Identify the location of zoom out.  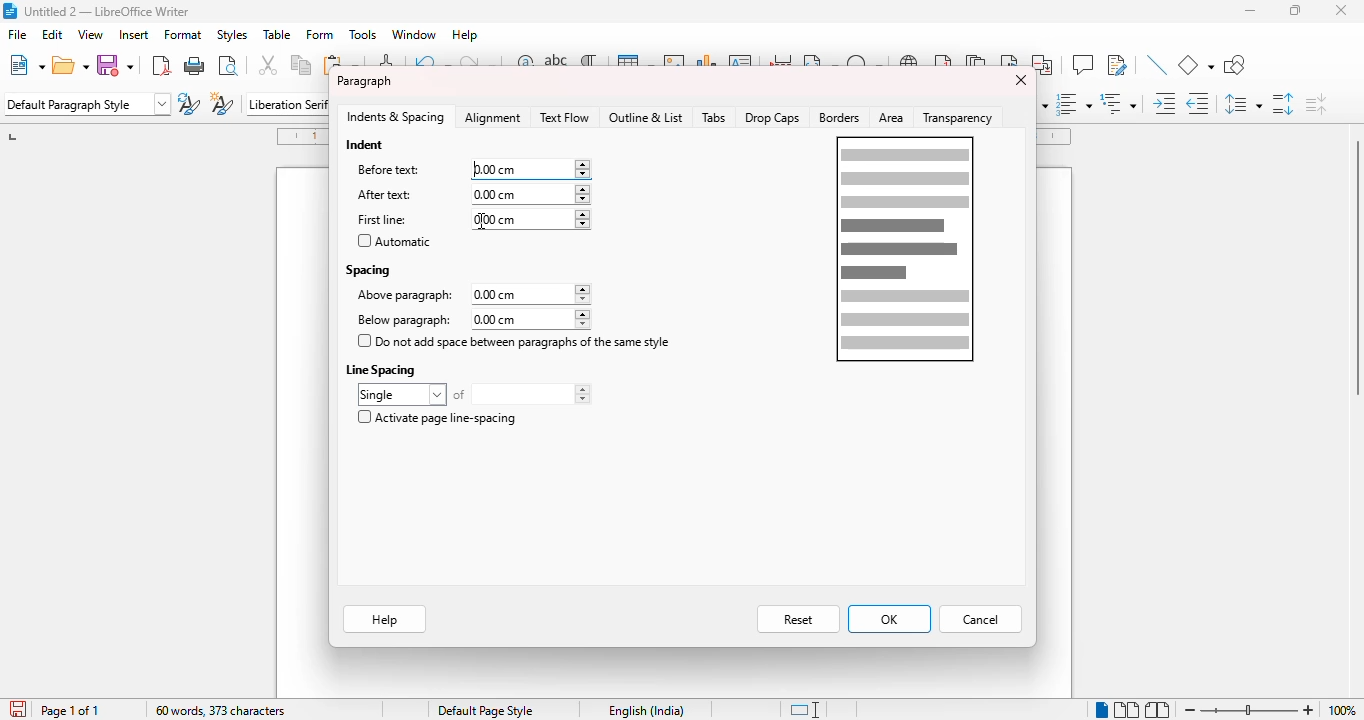
(1190, 710).